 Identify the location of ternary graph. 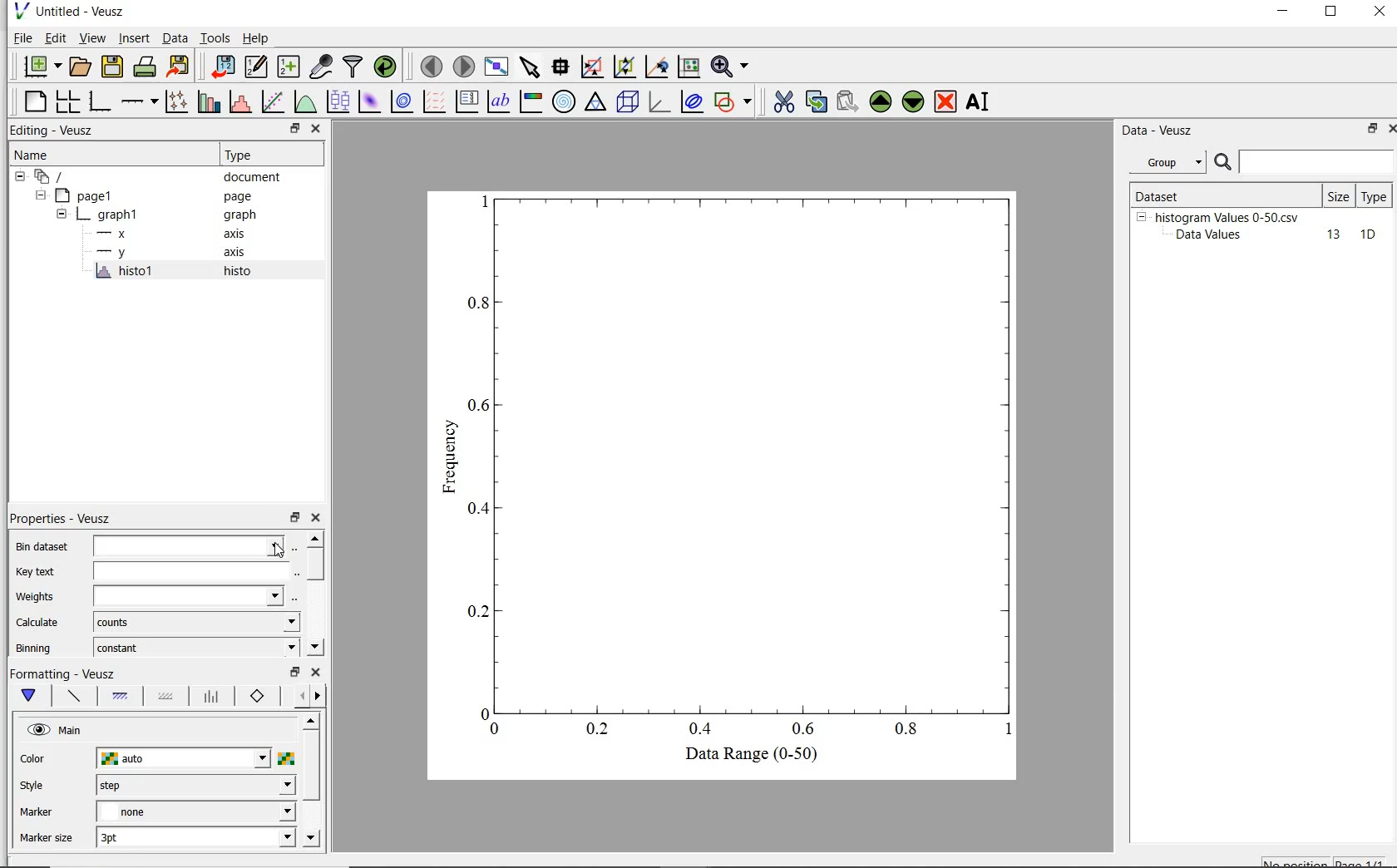
(596, 103).